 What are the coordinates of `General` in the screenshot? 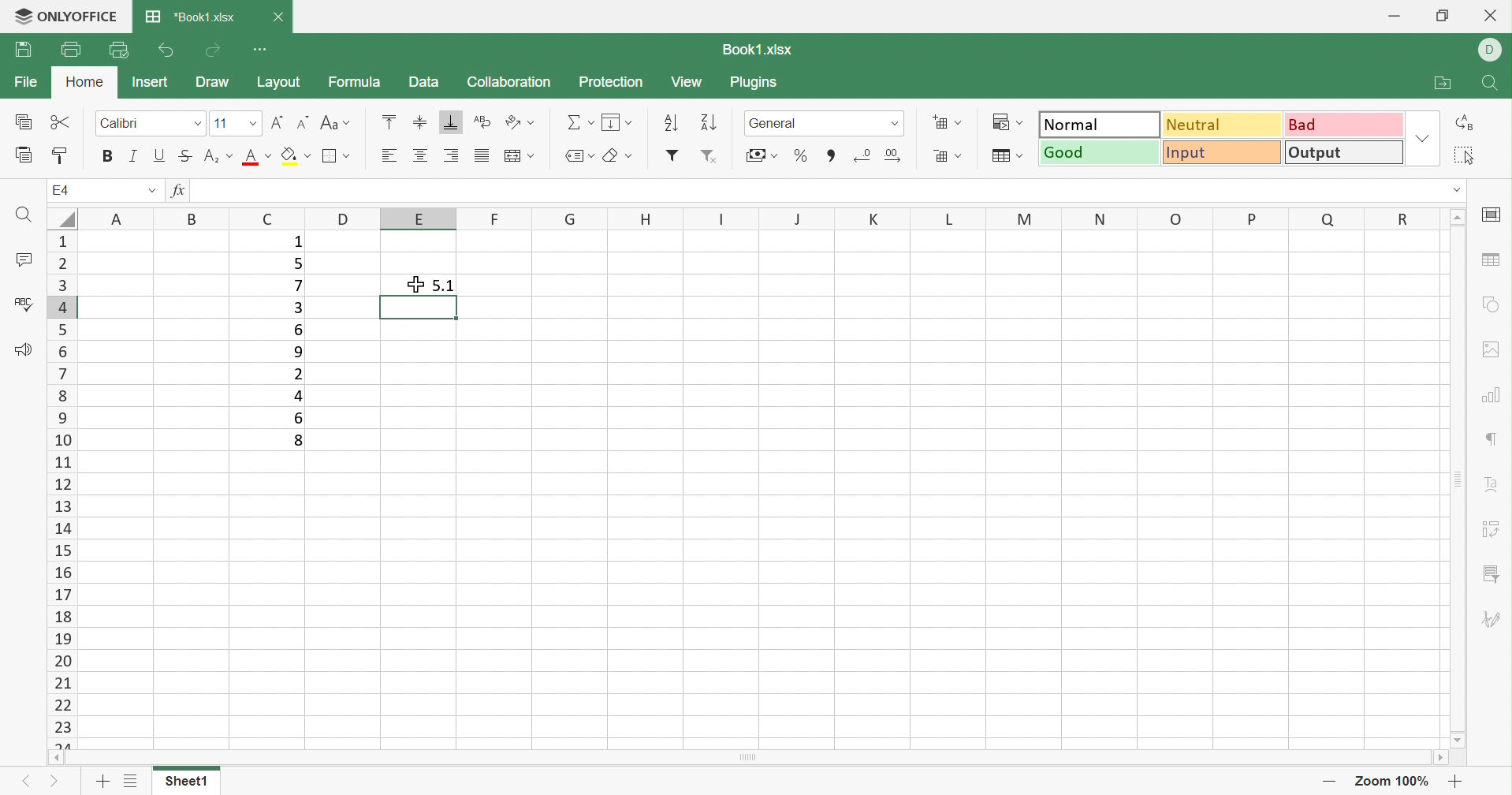 It's located at (776, 125).